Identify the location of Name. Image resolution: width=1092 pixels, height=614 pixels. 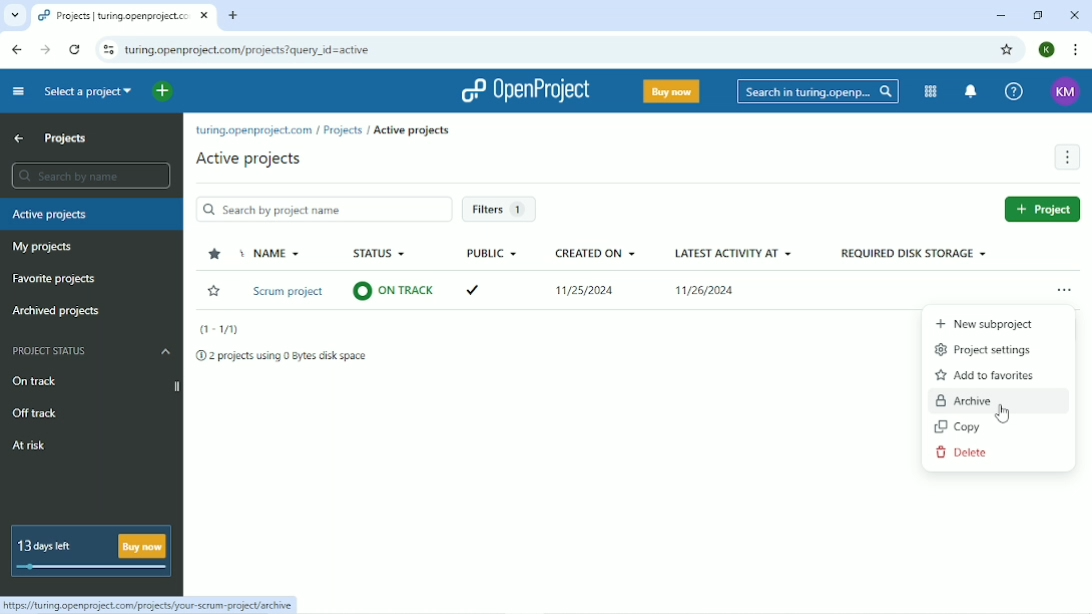
(276, 254).